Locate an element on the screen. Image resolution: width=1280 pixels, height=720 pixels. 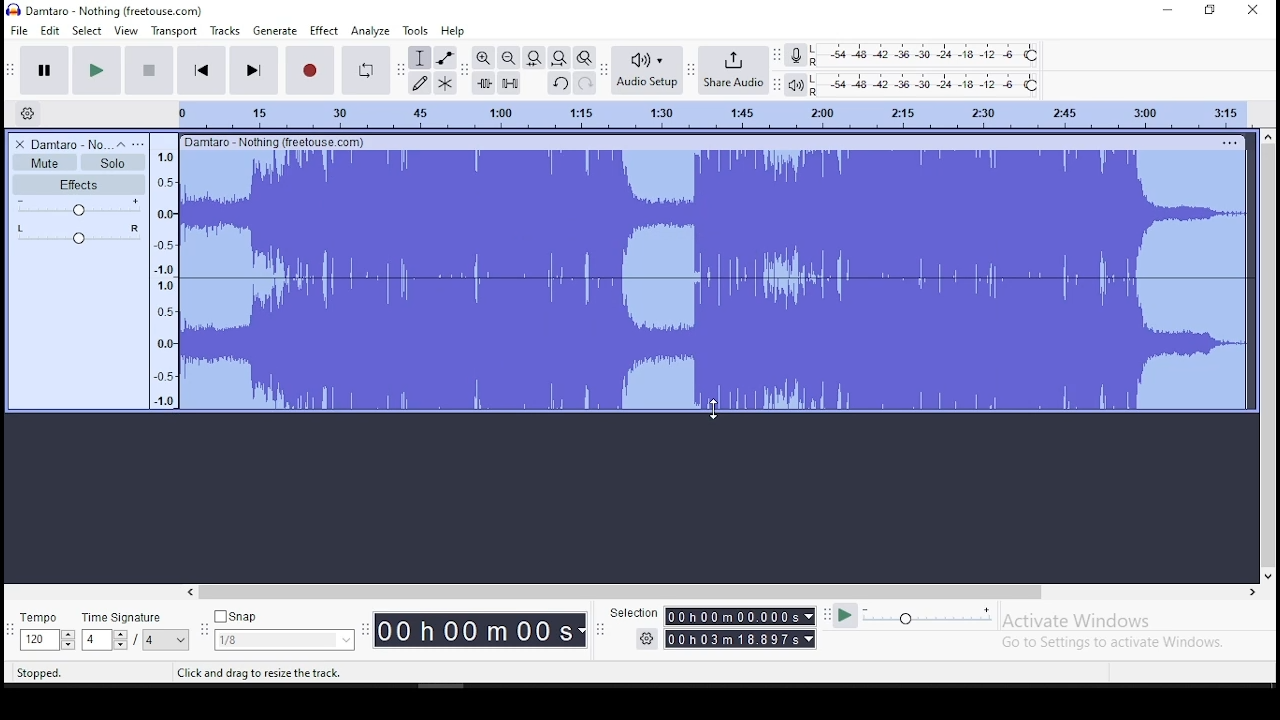
audio track is located at coordinates (715, 213).